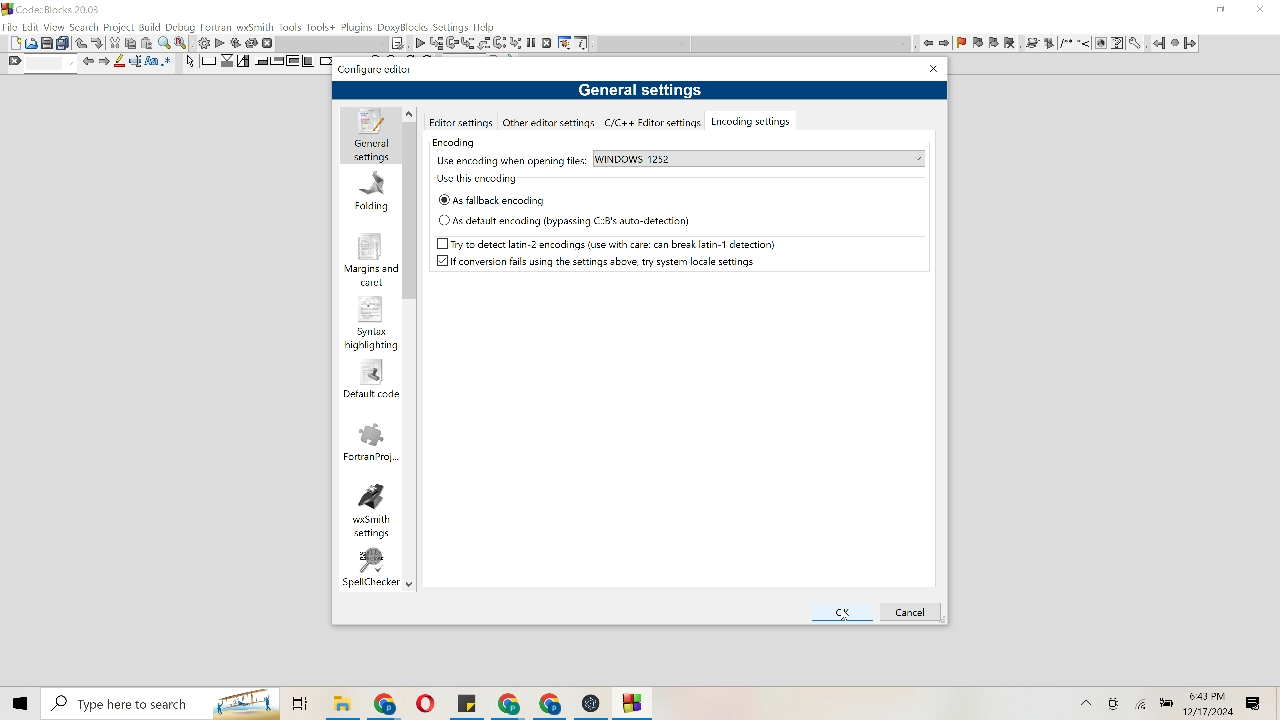  What do you see at coordinates (153, 62) in the screenshot?
I see `Font` at bounding box center [153, 62].